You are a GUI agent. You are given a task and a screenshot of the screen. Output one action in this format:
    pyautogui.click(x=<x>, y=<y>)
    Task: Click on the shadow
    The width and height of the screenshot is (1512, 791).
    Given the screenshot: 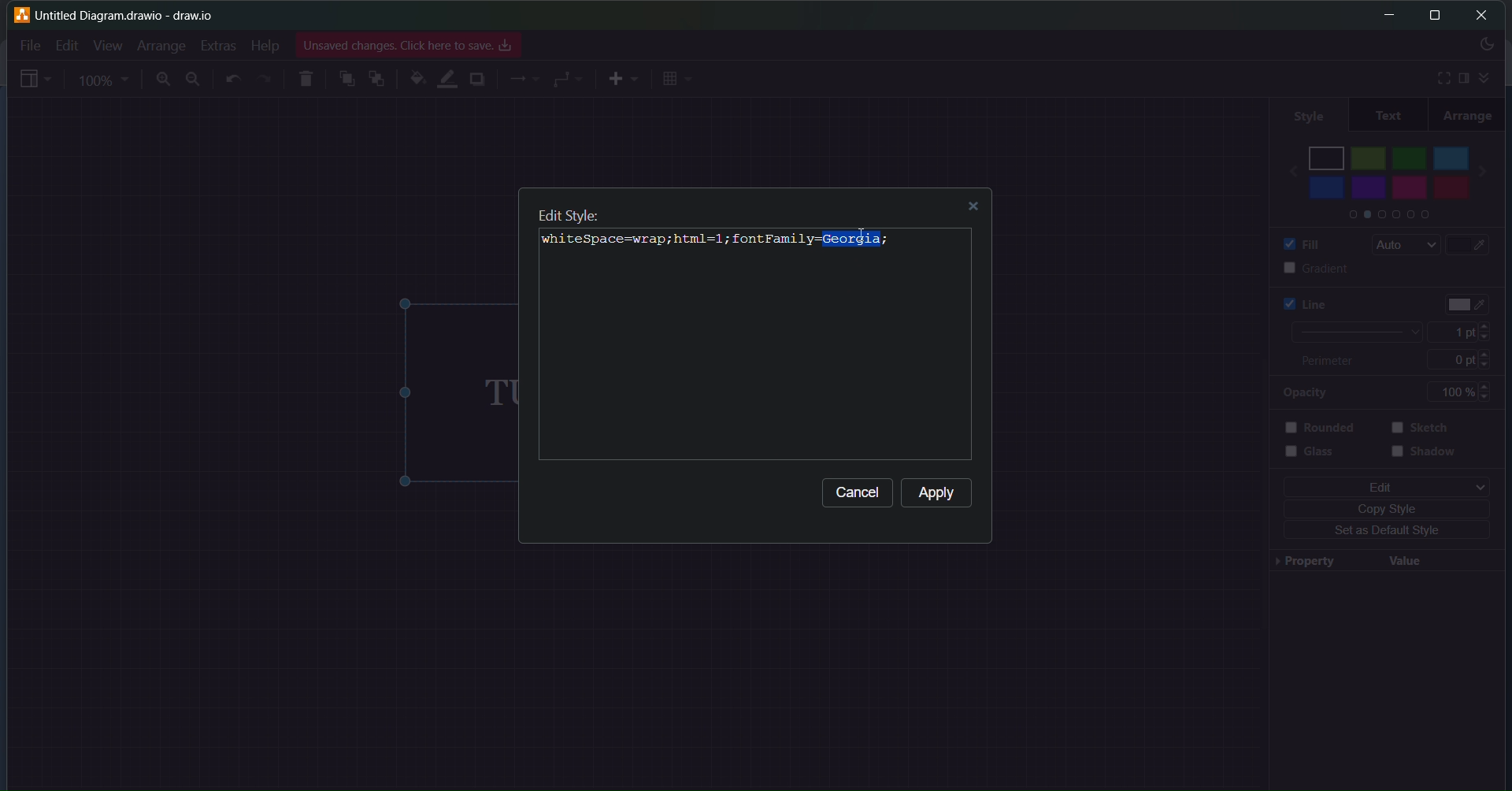 What is the action you would take?
    pyautogui.click(x=1427, y=458)
    